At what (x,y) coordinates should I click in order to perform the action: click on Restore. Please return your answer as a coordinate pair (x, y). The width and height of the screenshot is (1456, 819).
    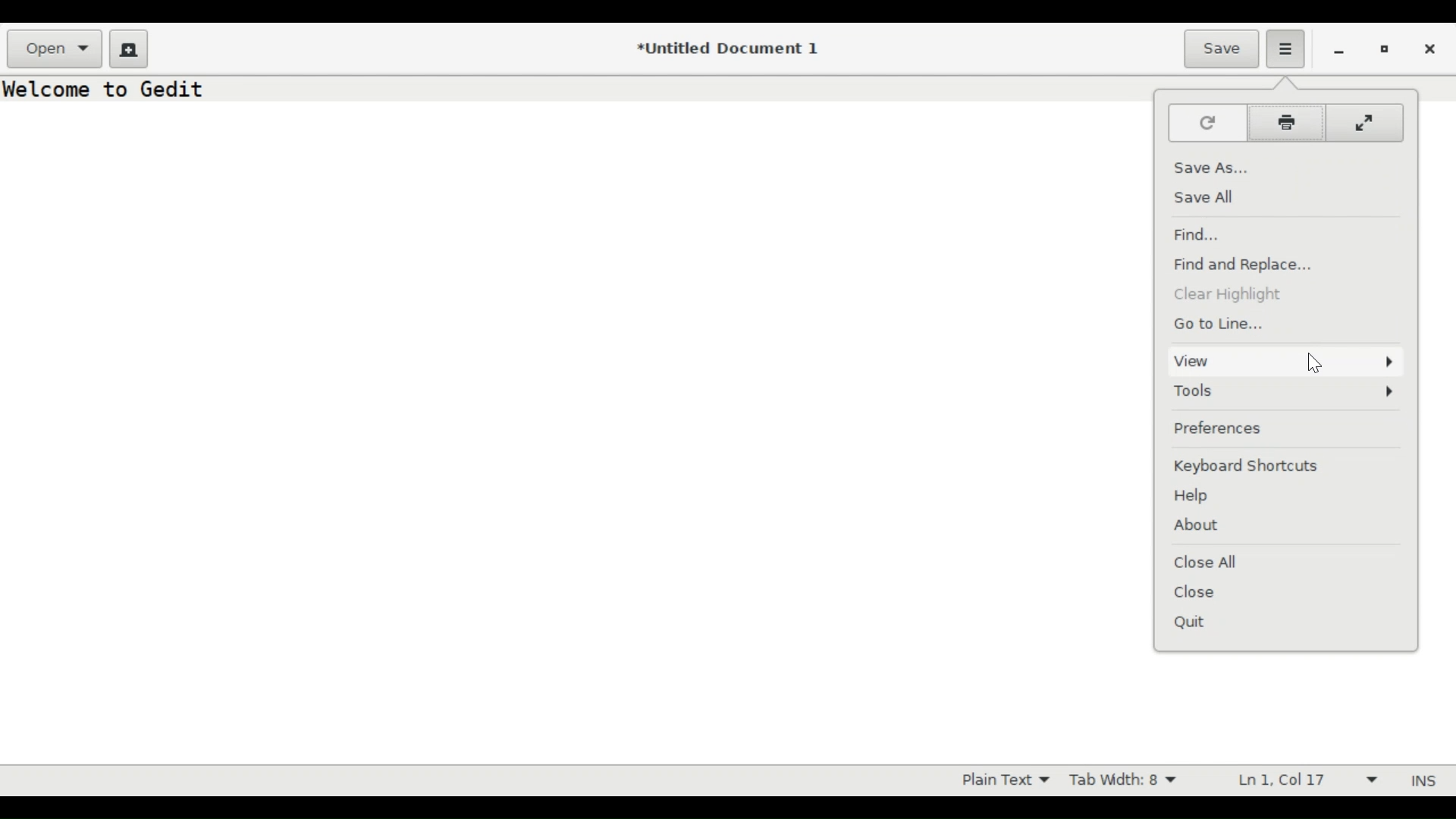
    Looking at the image, I should click on (1385, 48).